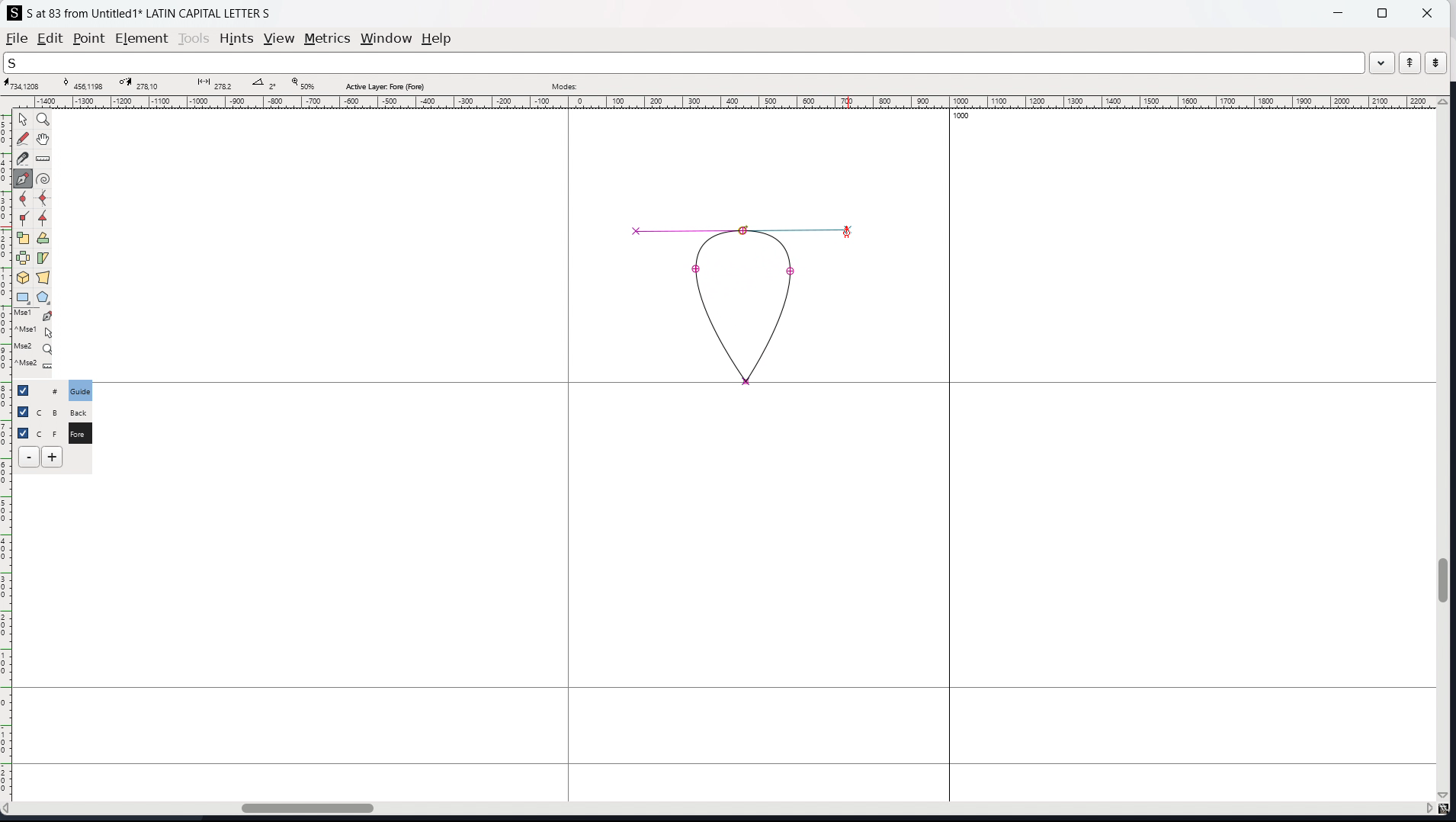 Image resolution: width=1456 pixels, height=822 pixels. What do you see at coordinates (1435, 62) in the screenshot?
I see `next word in the wordlist` at bounding box center [1435, 62].